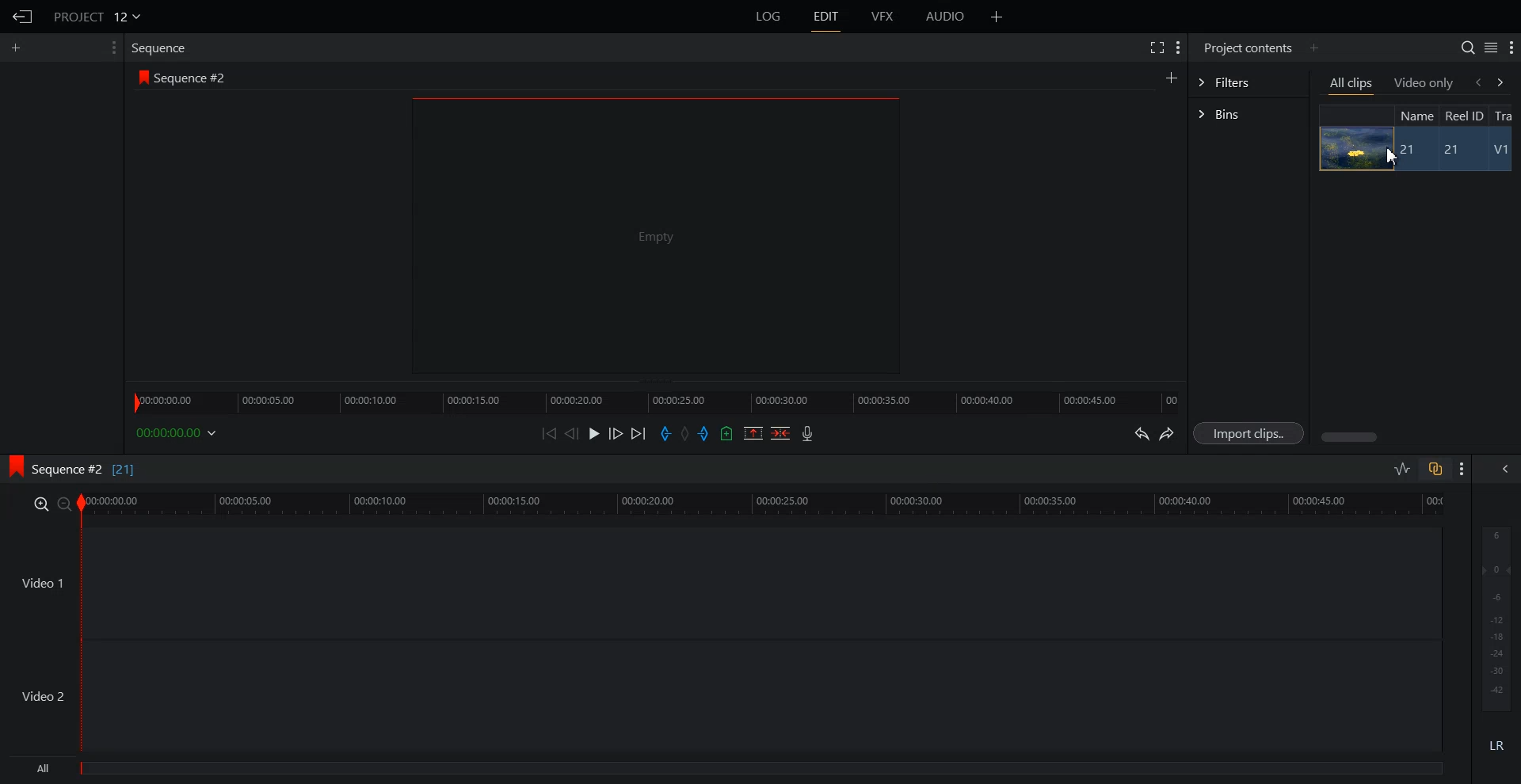  I want to click on AUDIO, so click(947, 17).